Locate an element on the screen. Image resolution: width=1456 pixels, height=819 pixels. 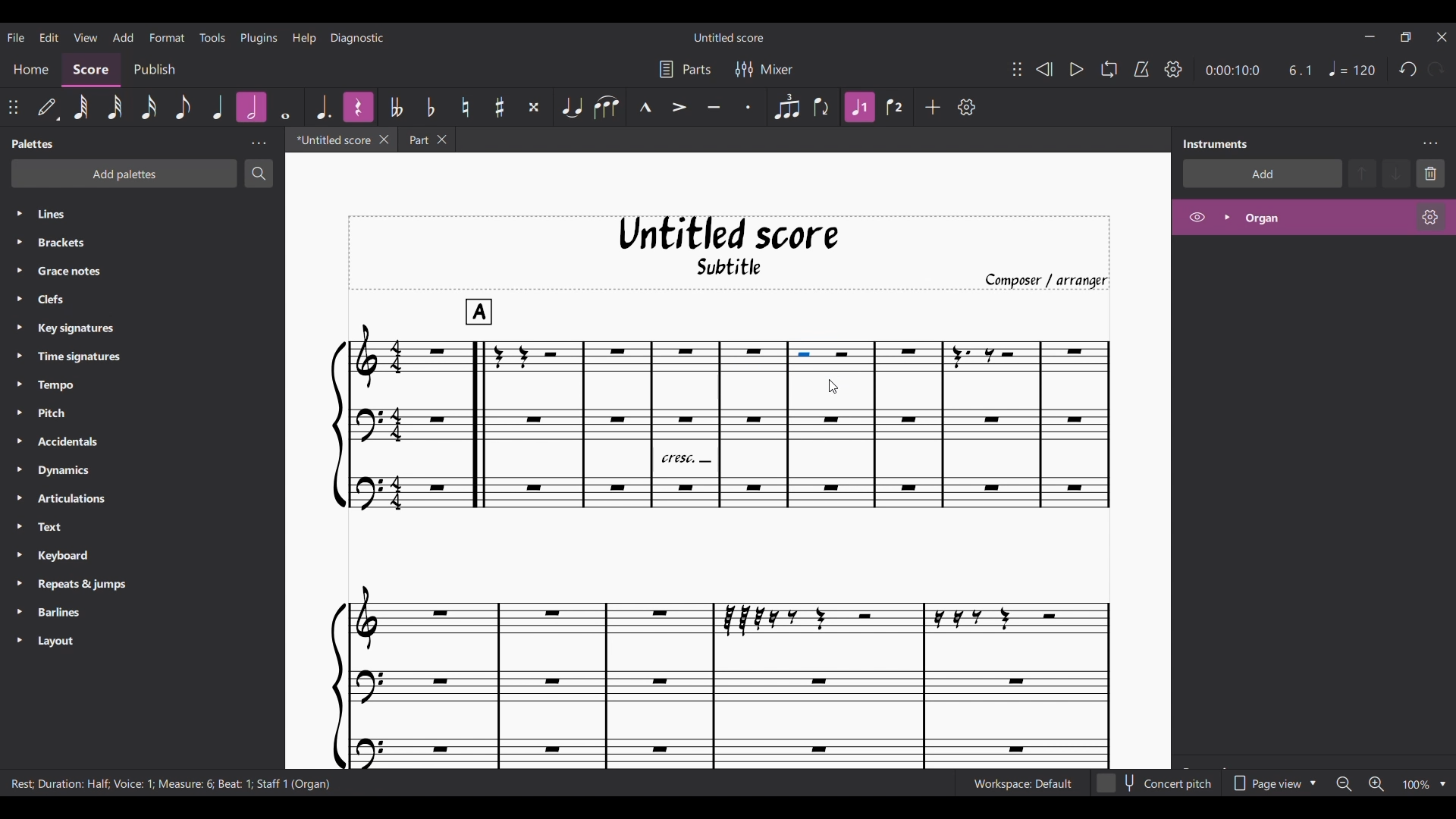
Selected not deleted from measure is located at coordinates (831, 357).